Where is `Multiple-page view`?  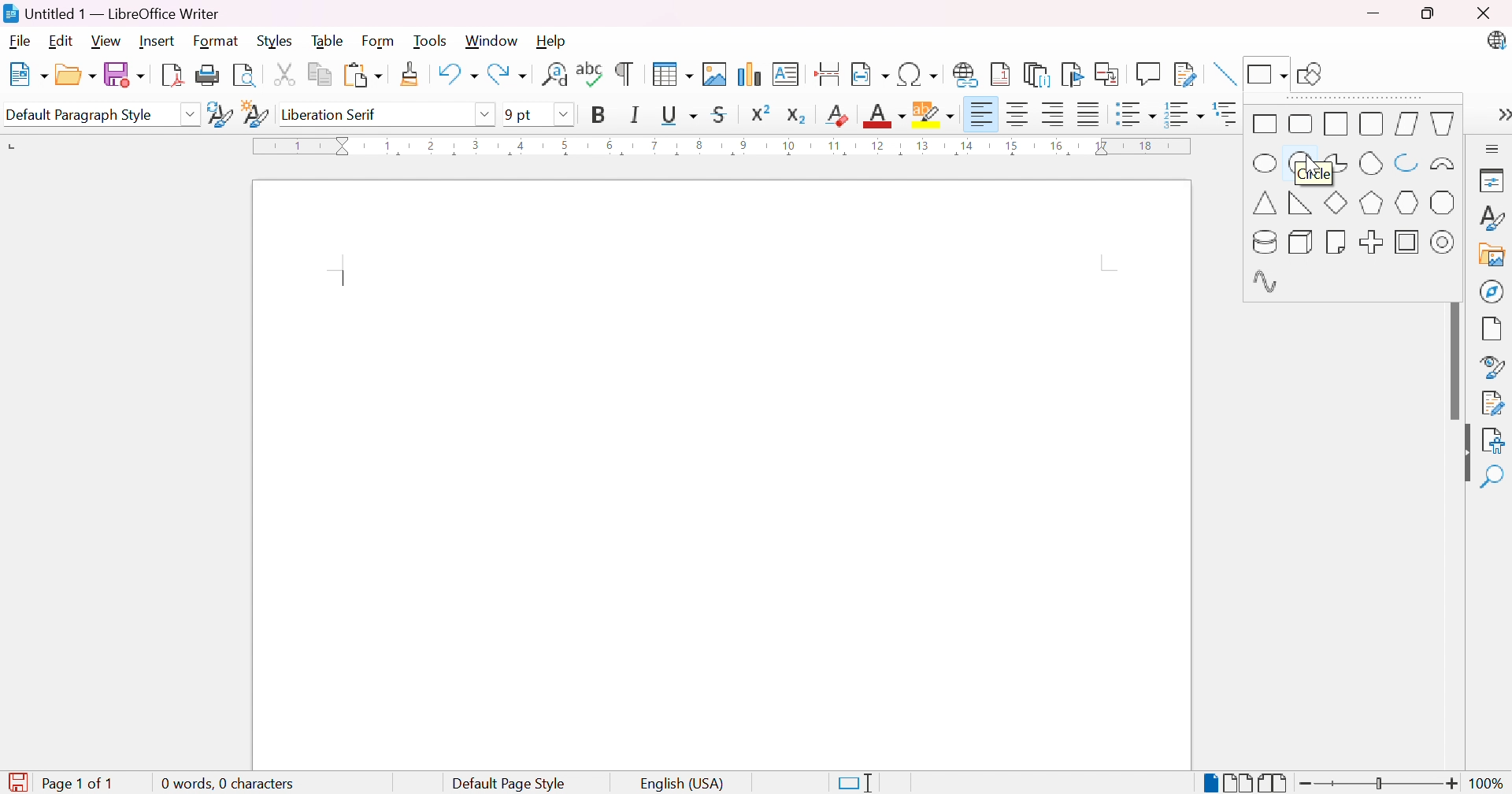 Multiple-page view is located at coordinates (1239, 783).